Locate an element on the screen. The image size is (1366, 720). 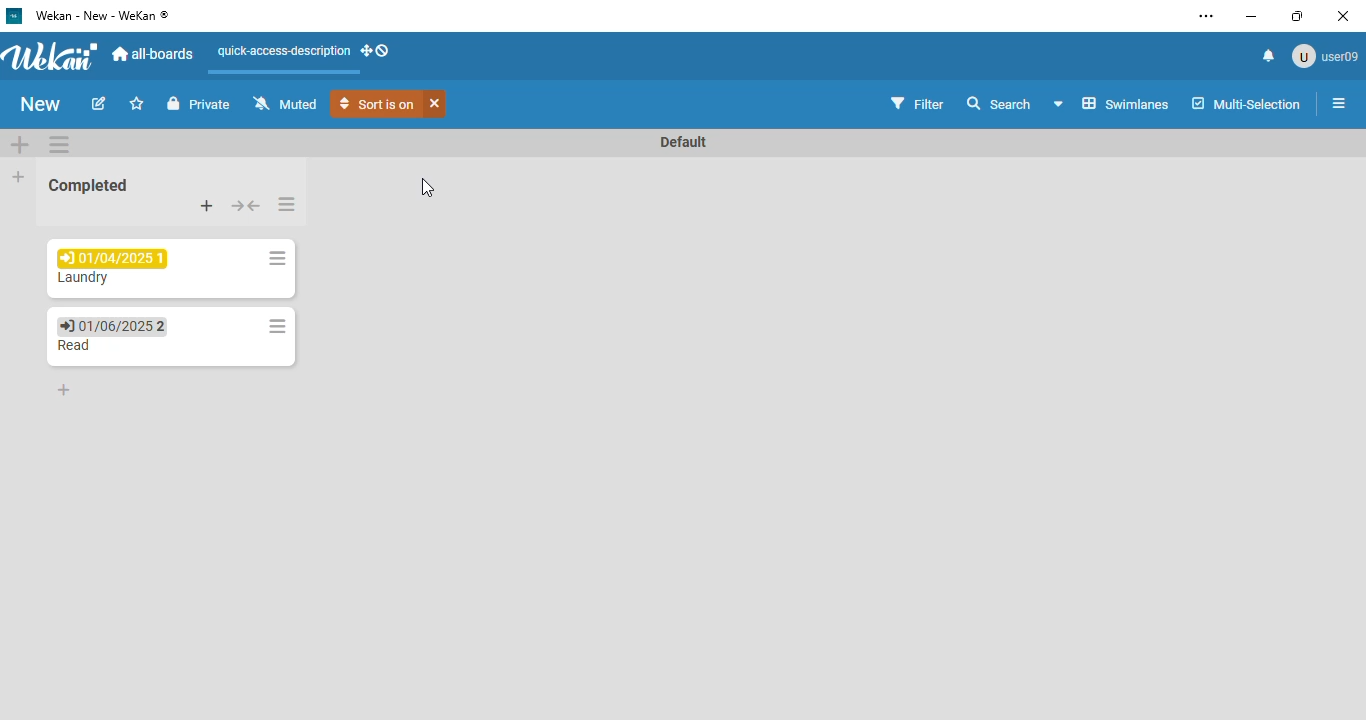
01/04/2025  is located at coordinates (113, 257).